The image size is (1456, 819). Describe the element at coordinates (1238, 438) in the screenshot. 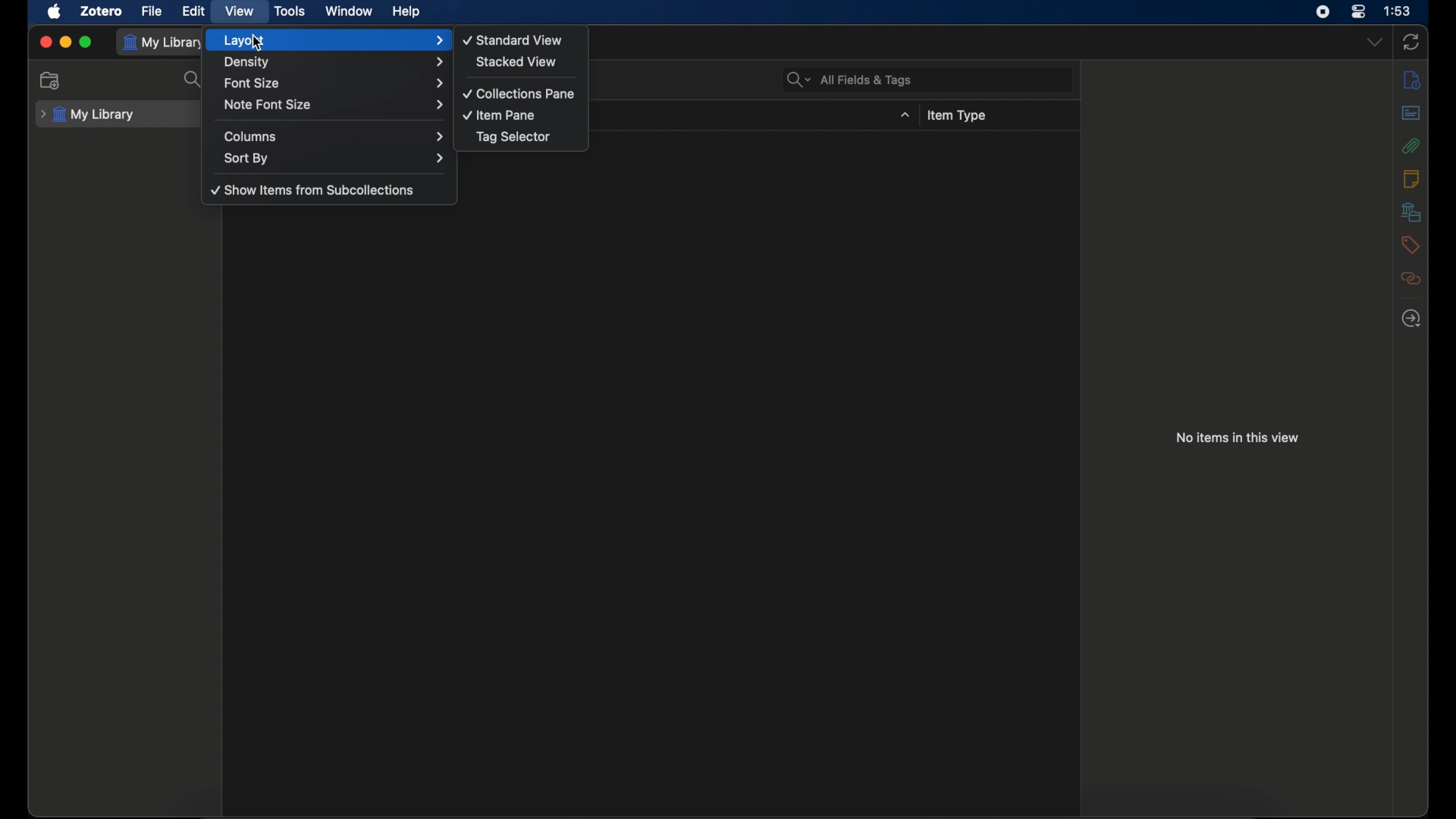

I see `no items in this view` at that location.